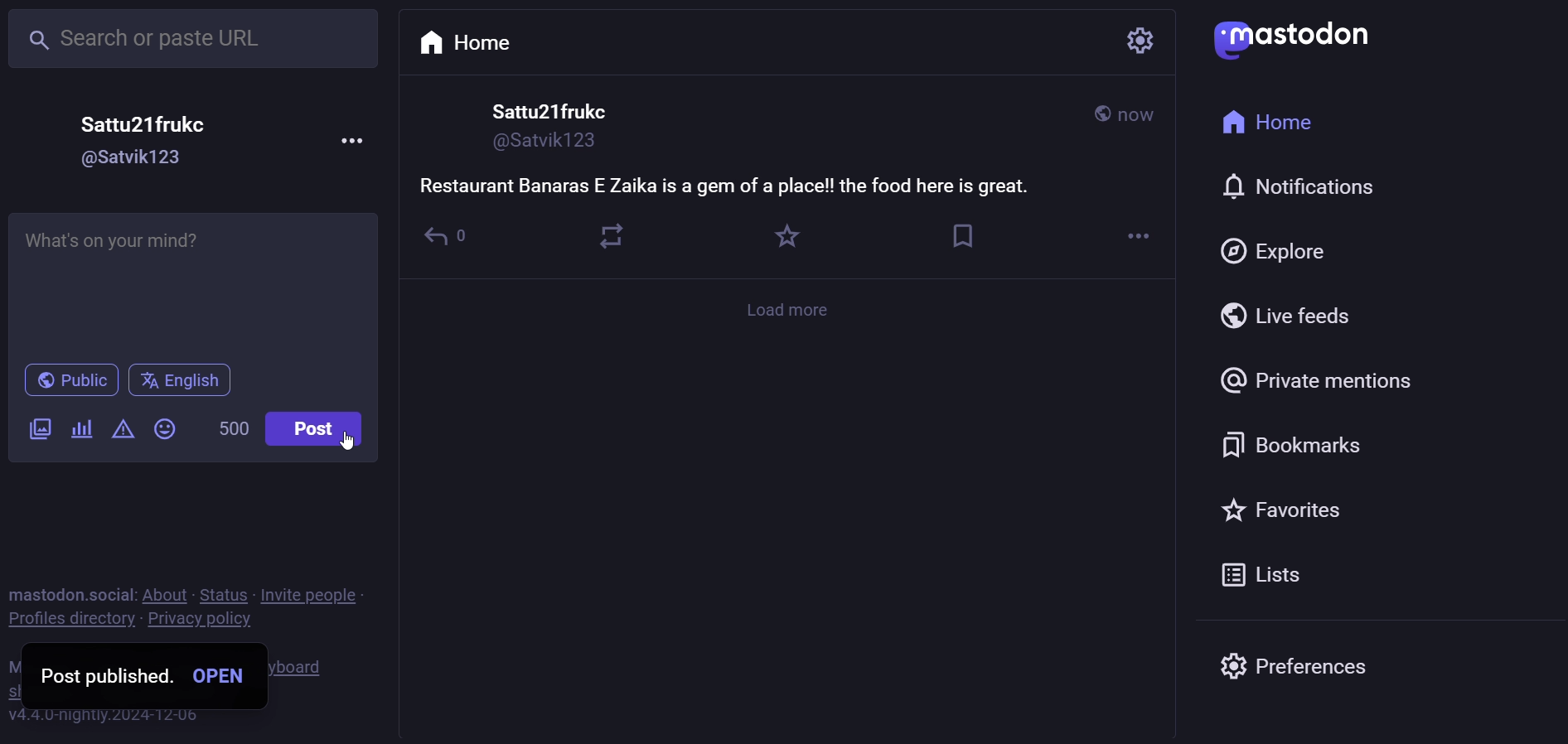  What do you see at coordinates (964, 237) in the screenshot?
I see `bookmark` at bounding box center [964, 237].